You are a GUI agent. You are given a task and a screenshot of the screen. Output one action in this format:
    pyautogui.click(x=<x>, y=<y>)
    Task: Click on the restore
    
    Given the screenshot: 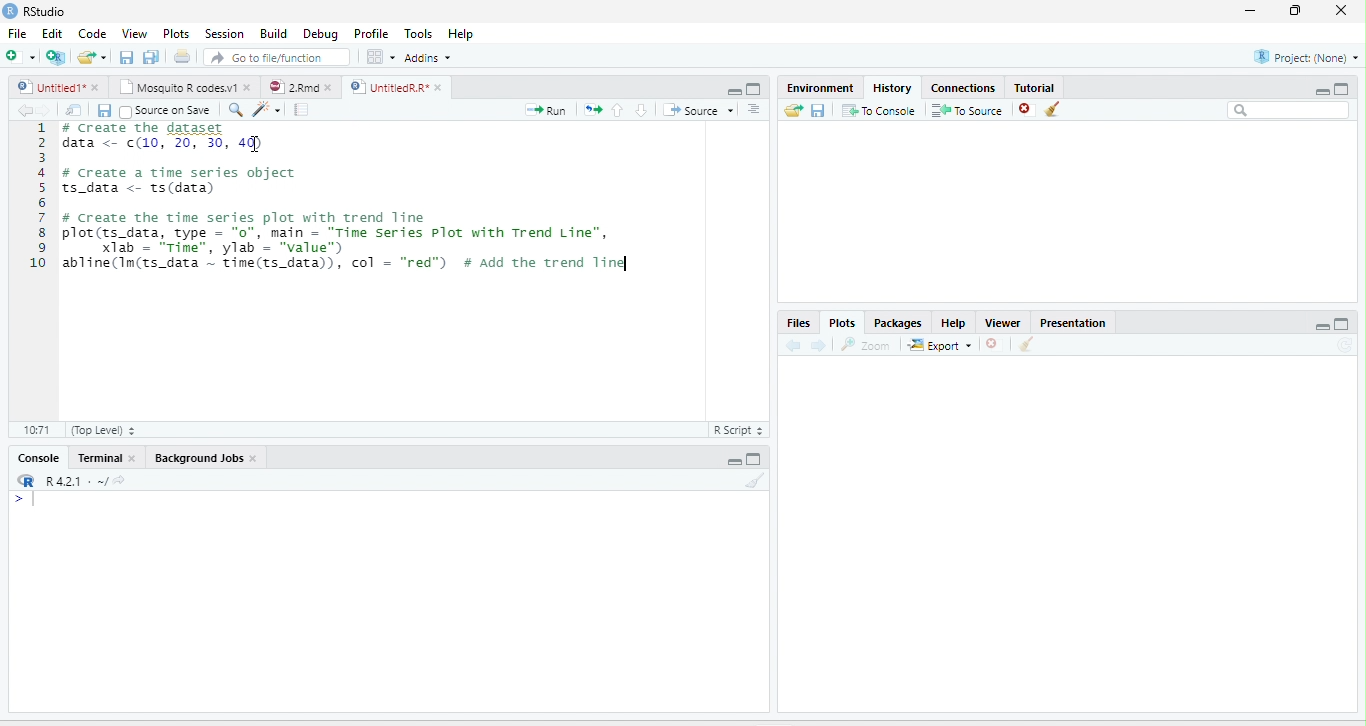 What is the action you would take?
    pyautogui.click(x=1296, y=11)
    